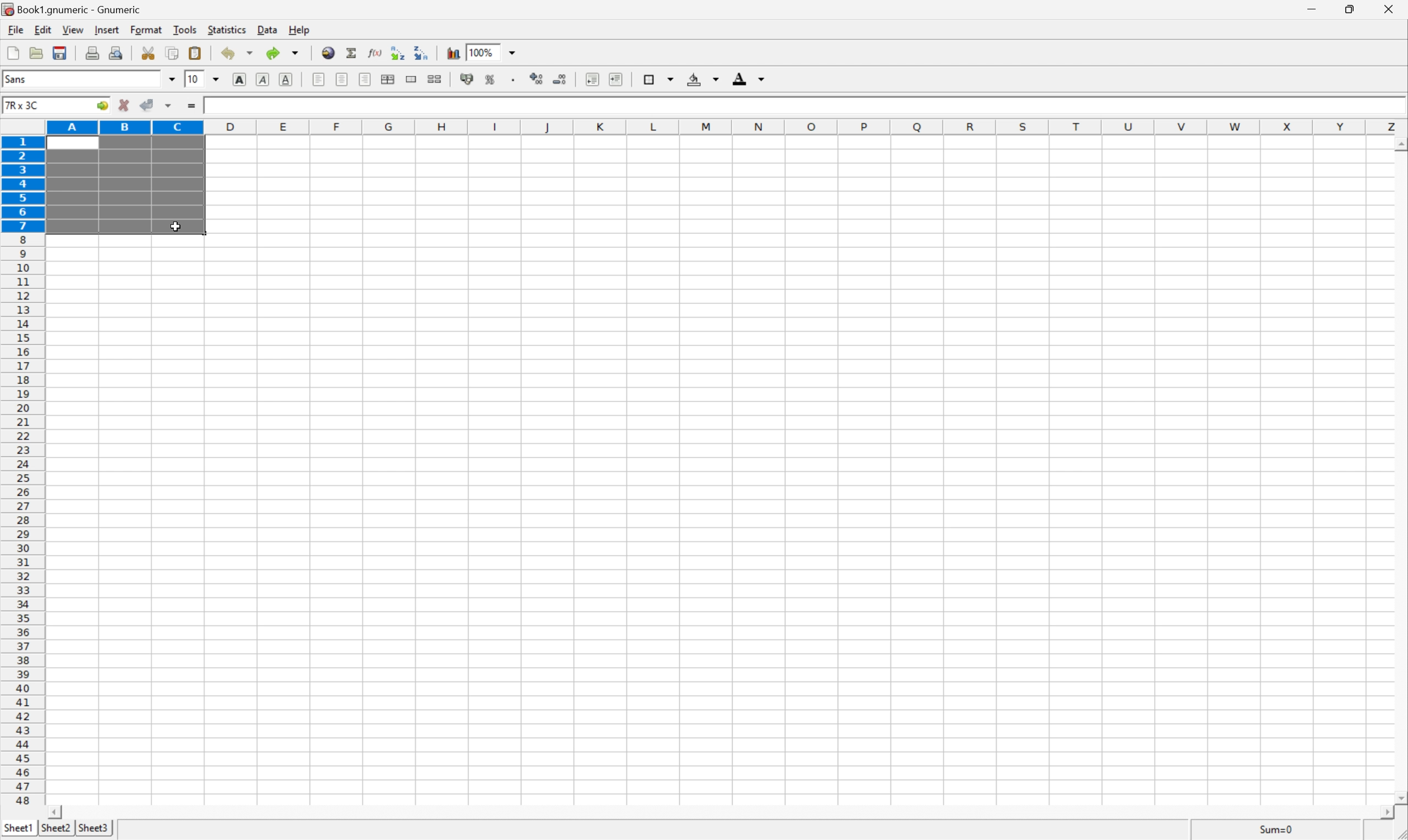  What do you see at coordinates (147, 105) in the screenshot?
I see `accept change` at bounding box center [147, 105].